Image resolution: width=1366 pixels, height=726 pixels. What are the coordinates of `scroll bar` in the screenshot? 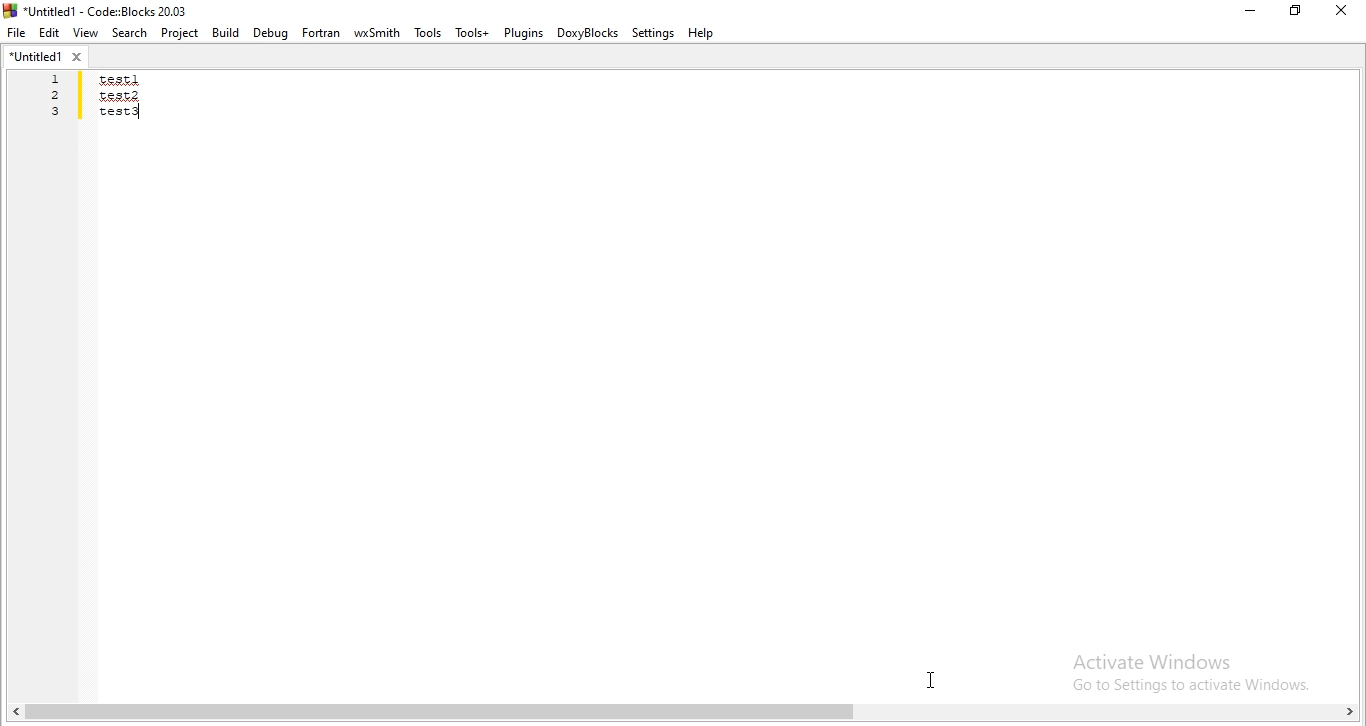 It's located at (683, 714).